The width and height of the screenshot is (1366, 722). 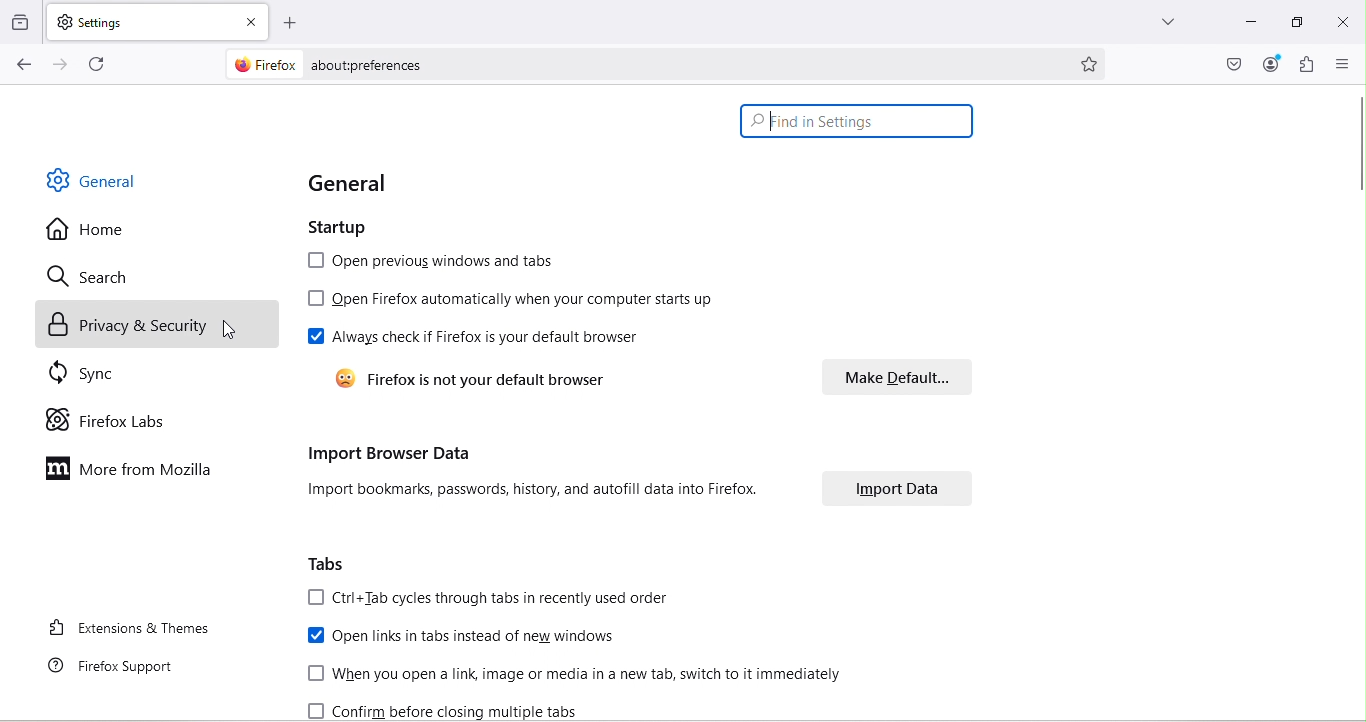 I want to click on Privacy & security, so click(x=161, y=325).